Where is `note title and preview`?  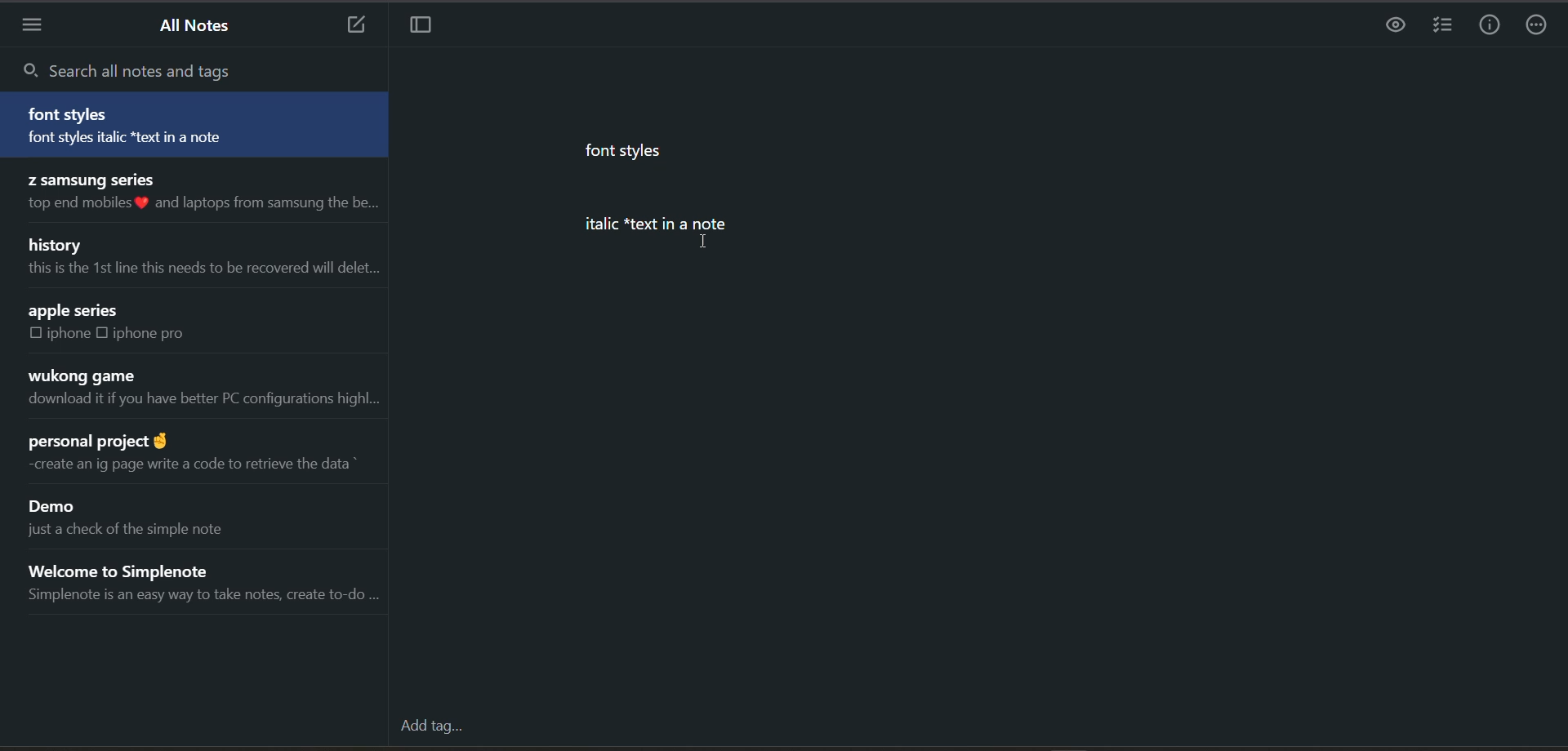 note title and preview is located at coordinates (199, 389).